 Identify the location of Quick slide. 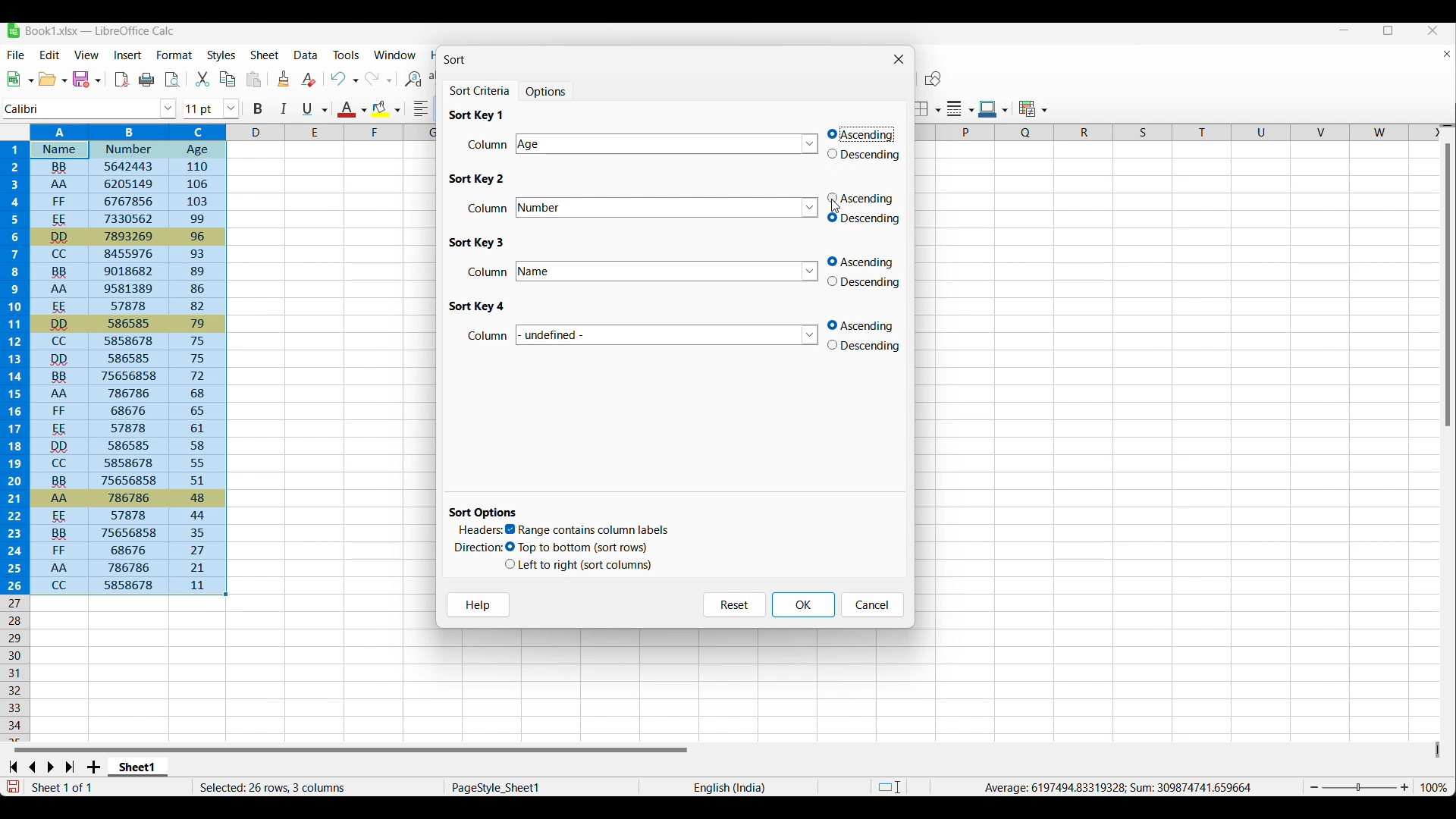
(1438, 750).